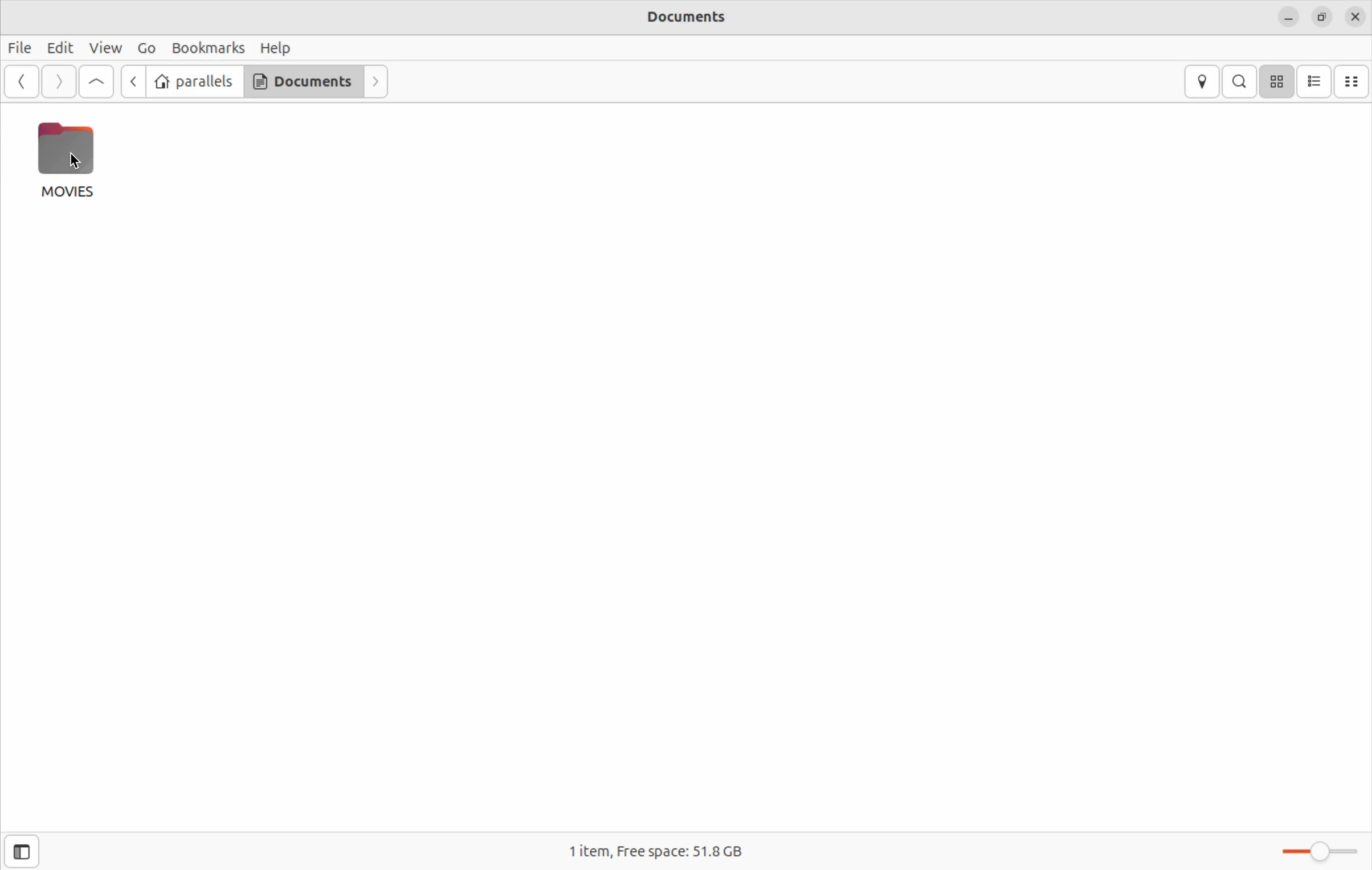 Image resolution: width=1372 pixels, height=870 pixels. I want to click on Documents, so click(307, 81).